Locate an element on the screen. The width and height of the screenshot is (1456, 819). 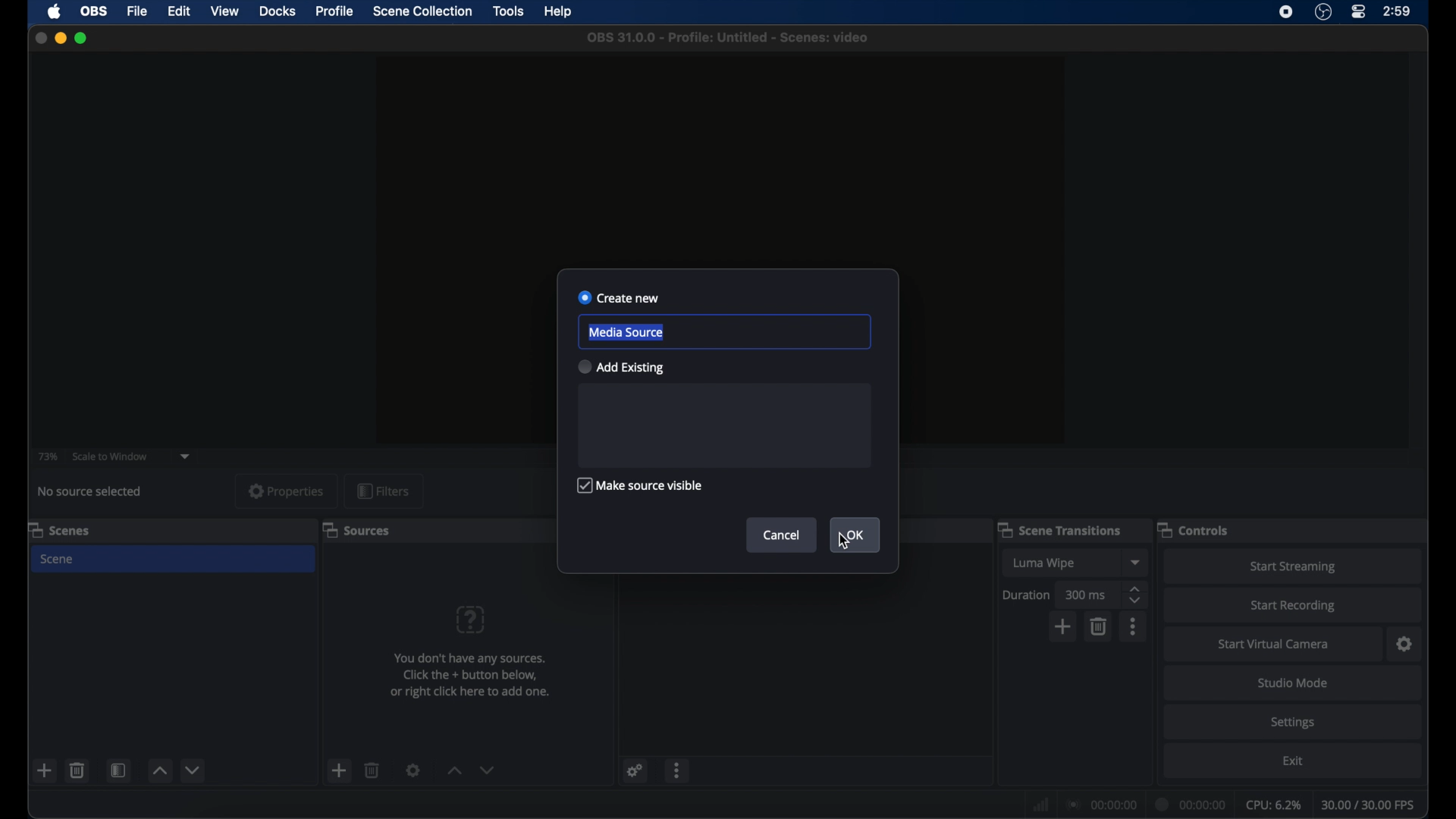
control center is located at coordinates (1357, 12).